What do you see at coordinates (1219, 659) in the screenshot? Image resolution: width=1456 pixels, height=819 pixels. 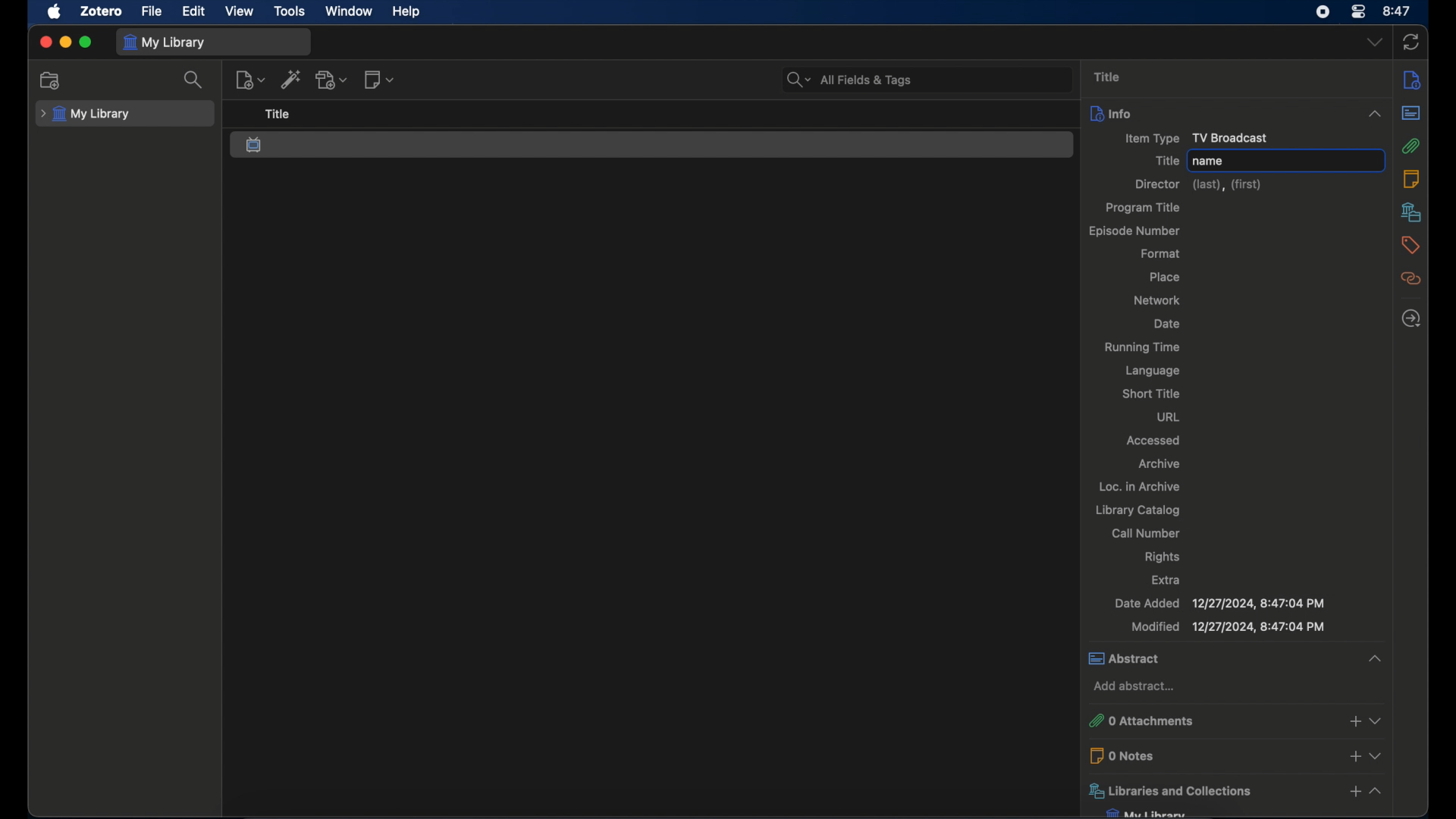 I see `abstract` at bounding box center [1219, 659].